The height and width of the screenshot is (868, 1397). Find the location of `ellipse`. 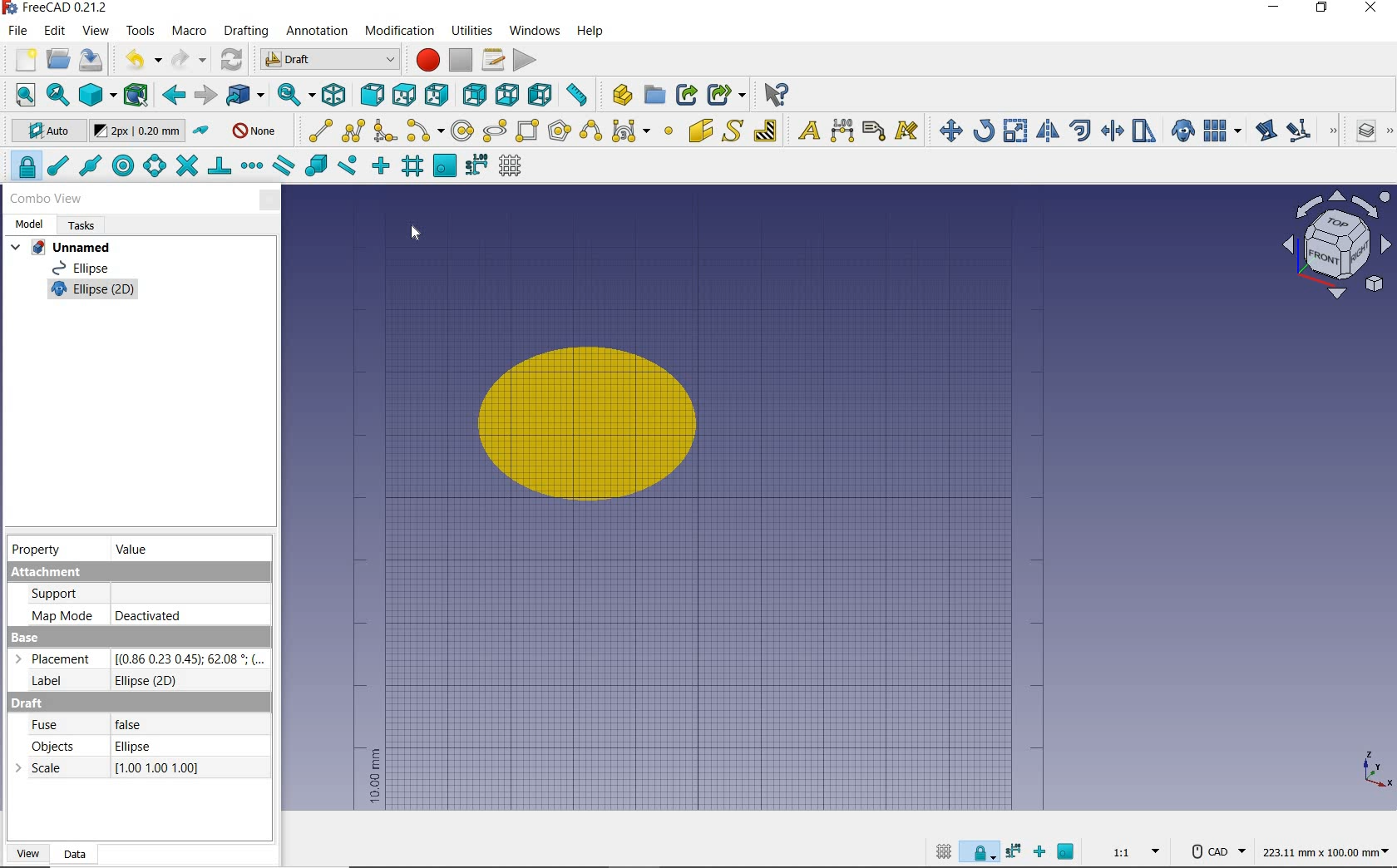

ellipse is located at coordinates (495, 131).